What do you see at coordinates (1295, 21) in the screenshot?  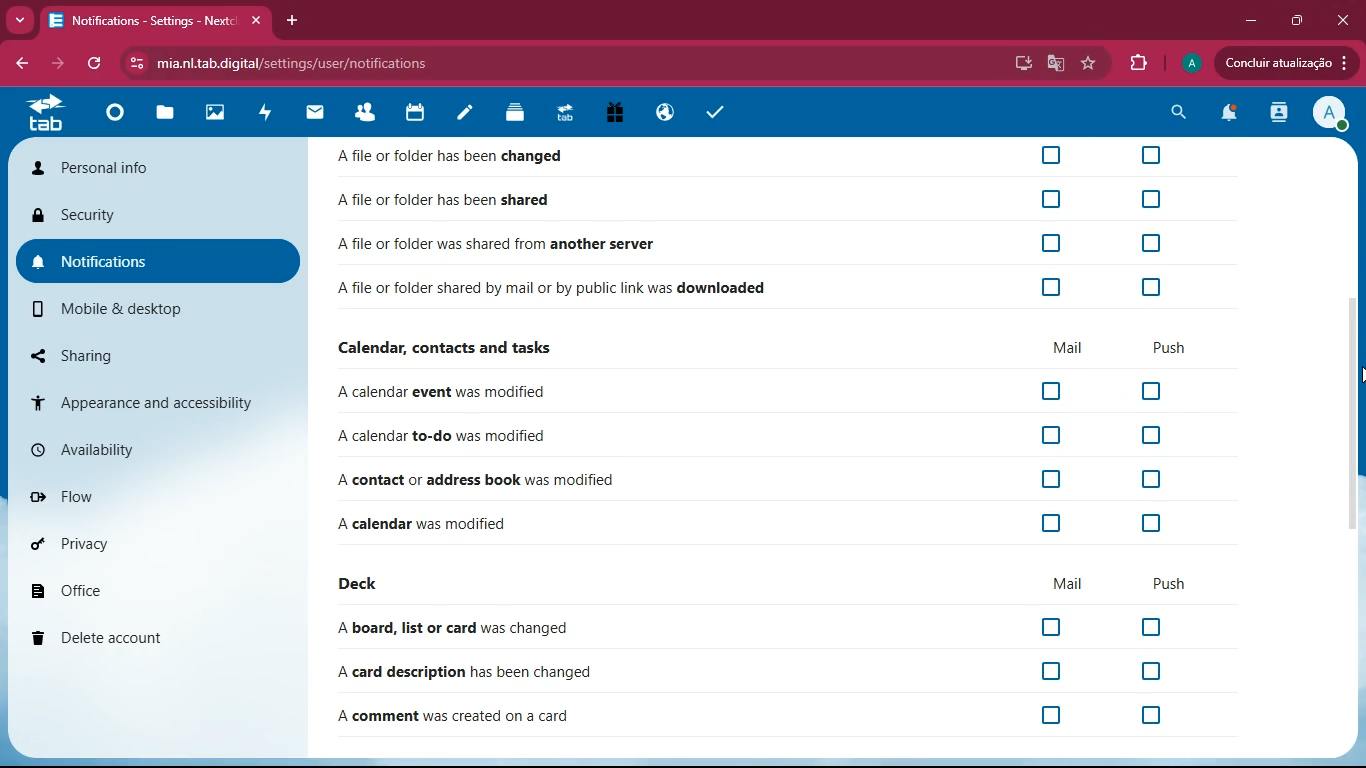 I see `maximize` at bounding box center [1295, 21].